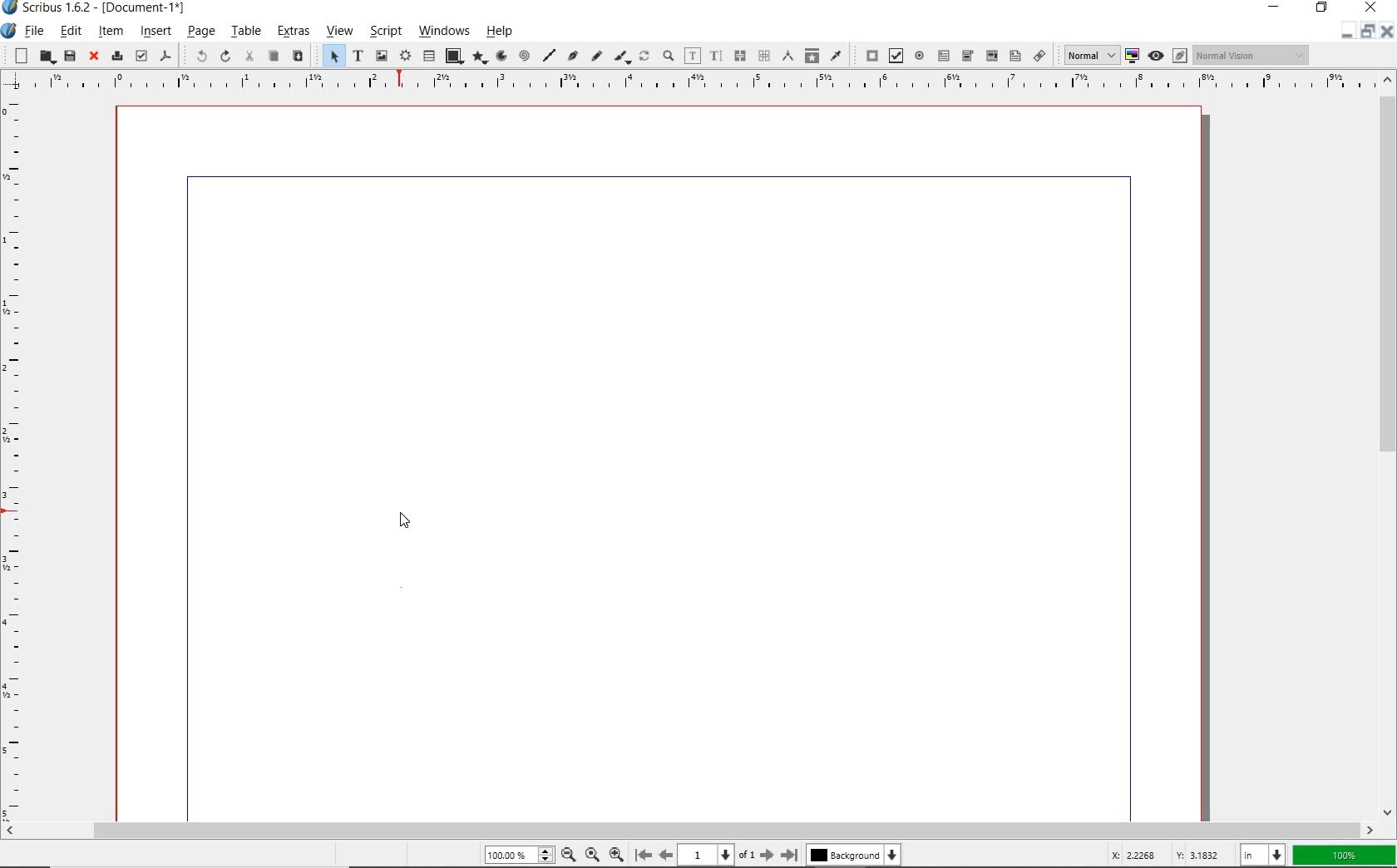 This screenshot has height=868, width=1397. What do you see at coordinates (967, 56) in the screenshot?
I see `pdf combo box` at bounding box center [967, 56].